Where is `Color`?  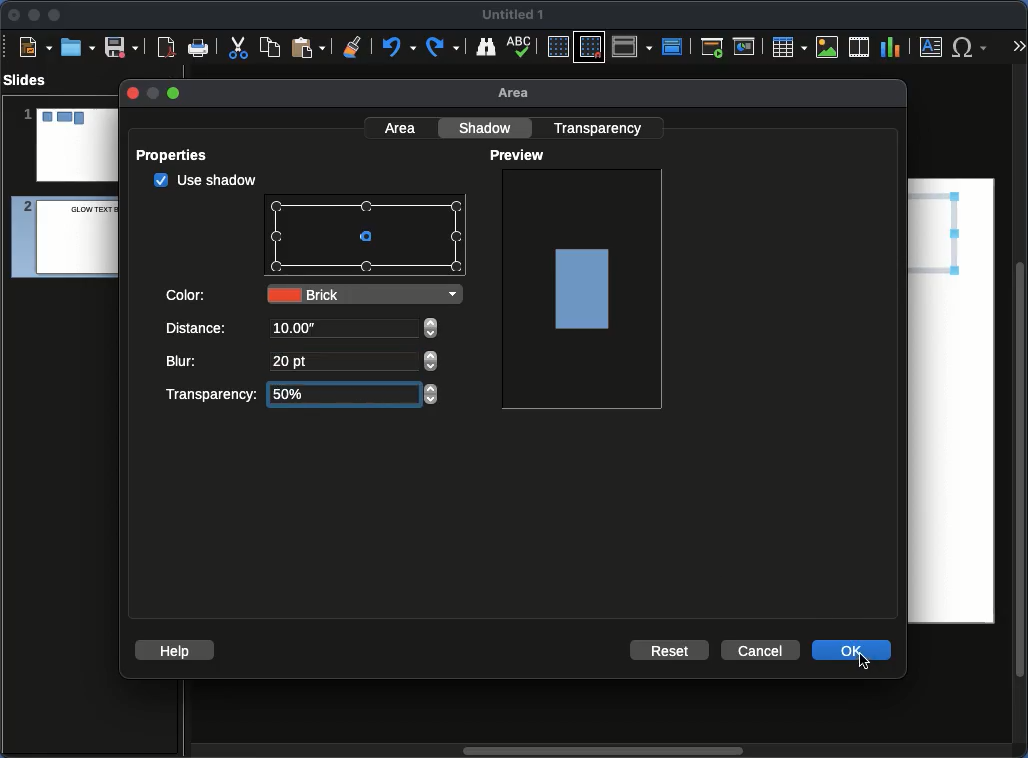 Color is located at coordinates (188, 293).